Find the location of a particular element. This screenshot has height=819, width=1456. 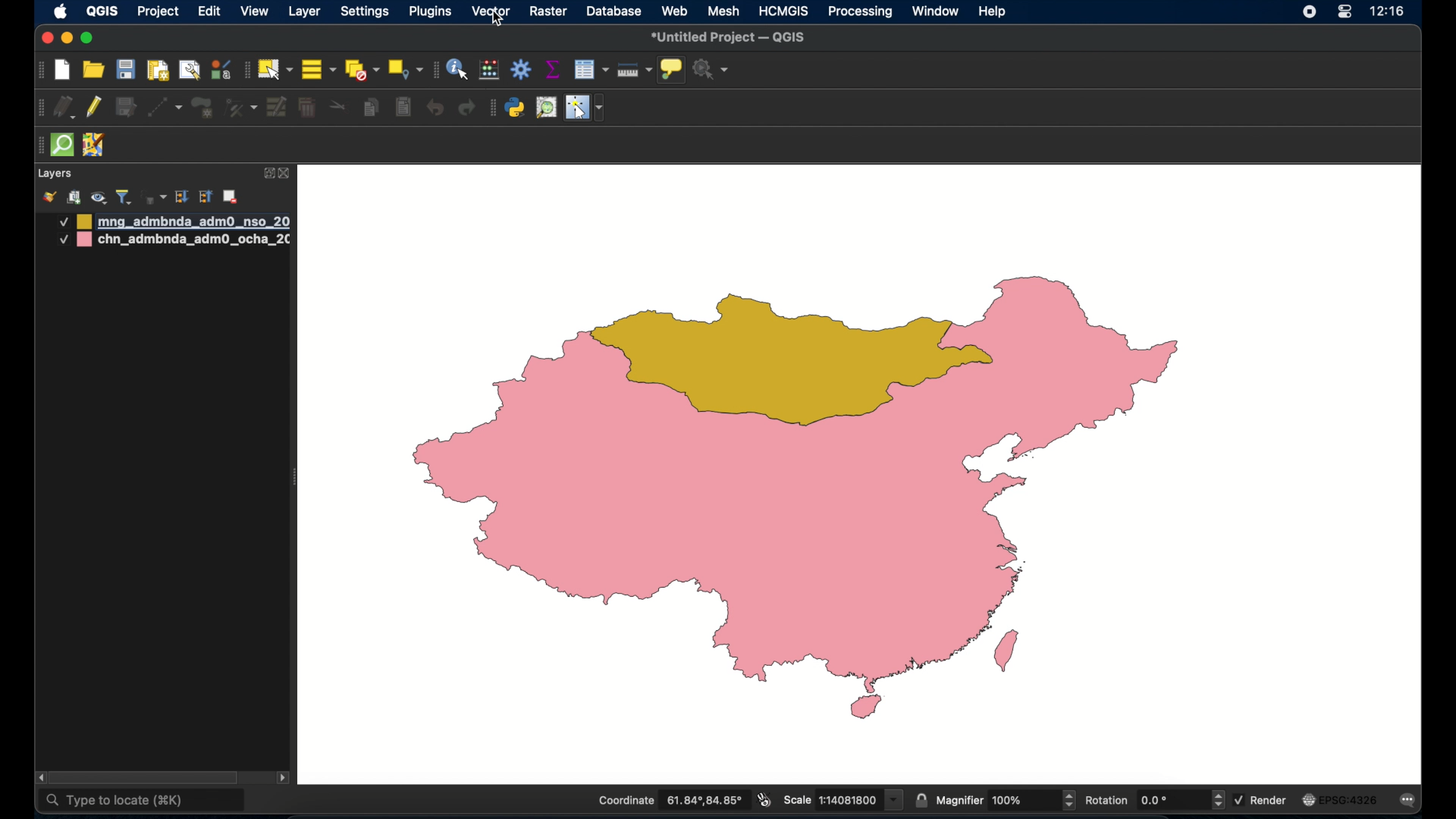

ventor data of Mongolia and china is located at coordinates (814, 498).